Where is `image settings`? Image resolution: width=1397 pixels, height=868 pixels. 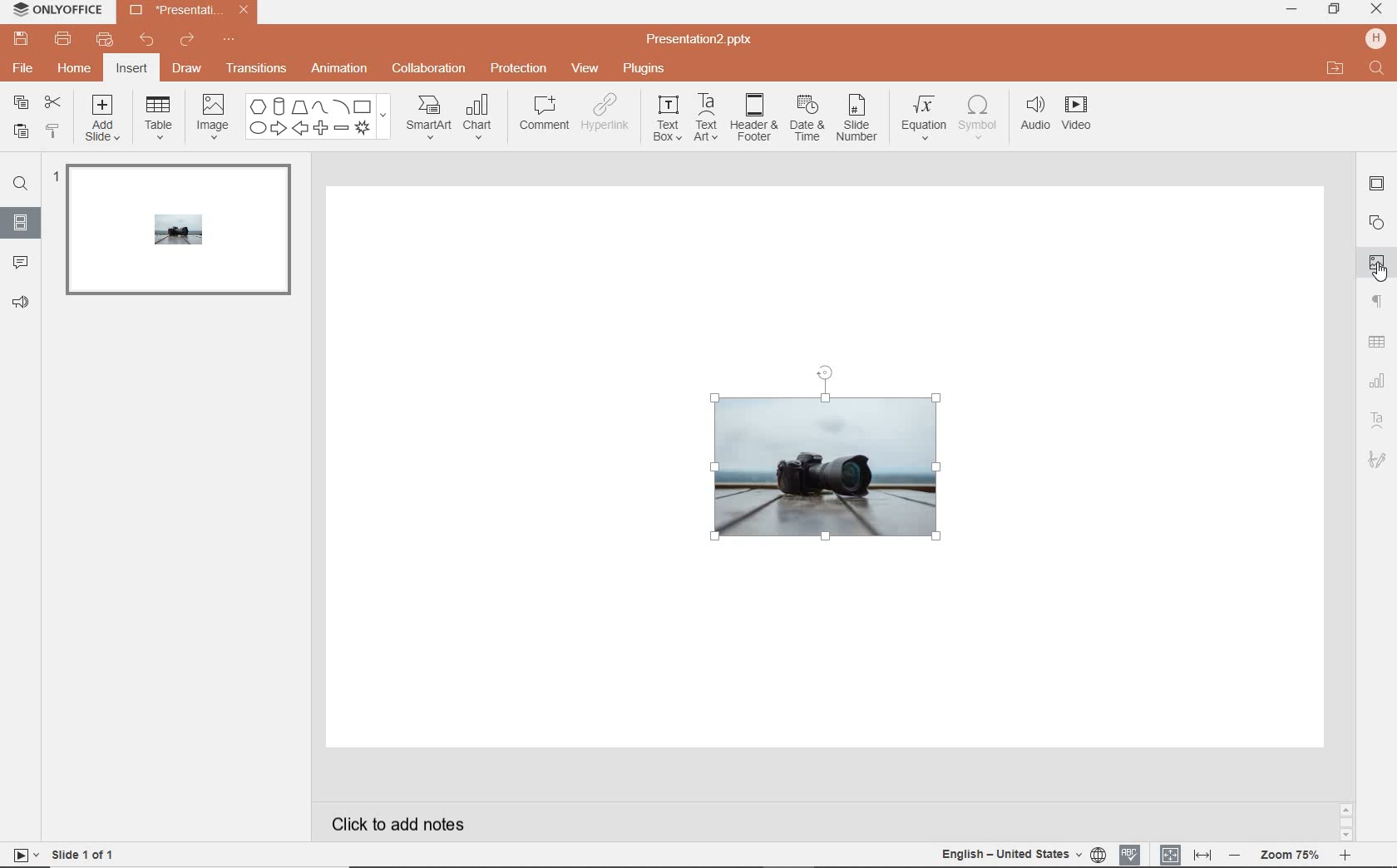
image settings is located at coordinates (1377, 262).